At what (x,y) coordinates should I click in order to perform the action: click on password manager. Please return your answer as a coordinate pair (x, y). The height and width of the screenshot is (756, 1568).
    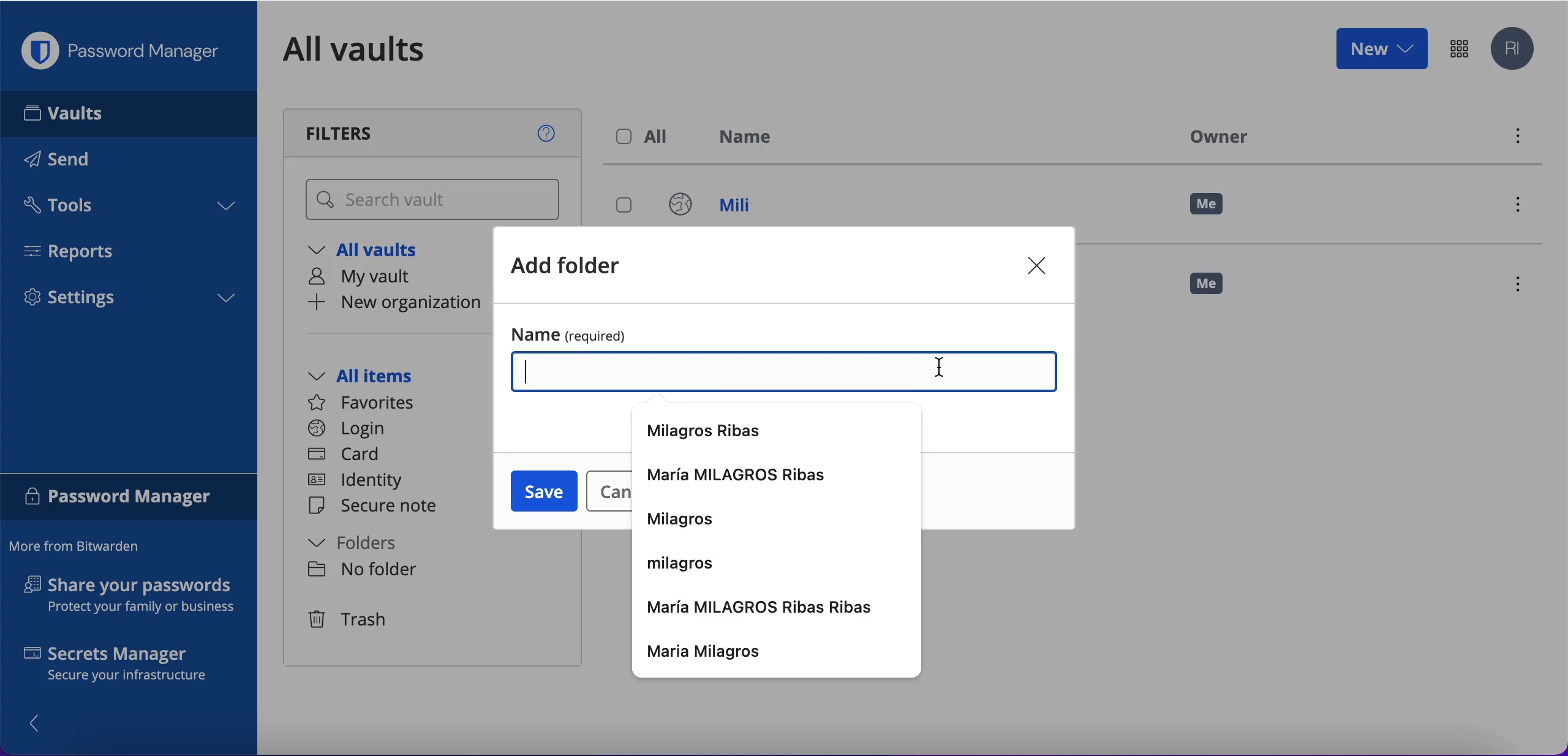
    Looking at the image, I should click on (129, 499).